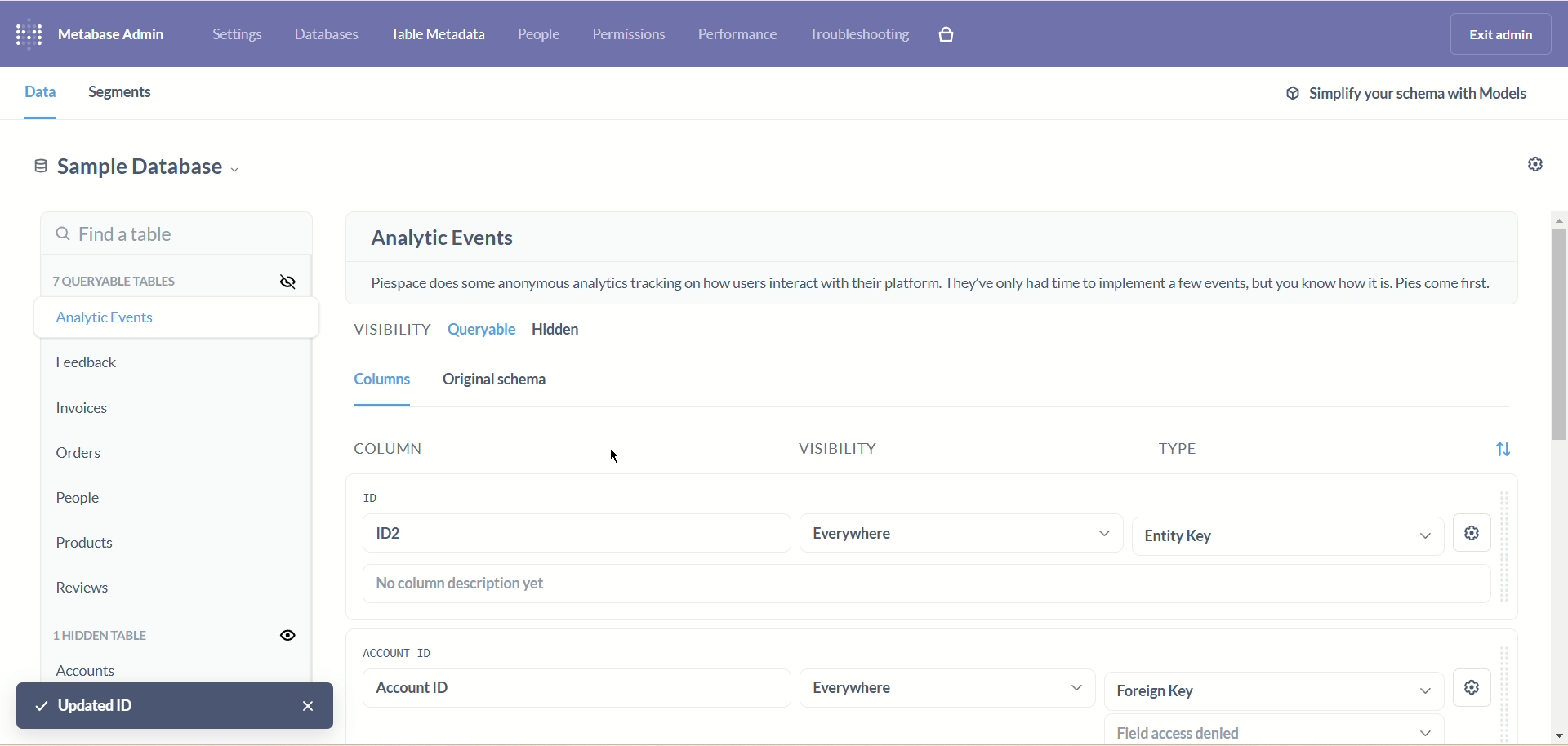 Image resolution: width=1568 pixels, height=746 pixels. I want to click on Metabase admin, so click(118, 36).